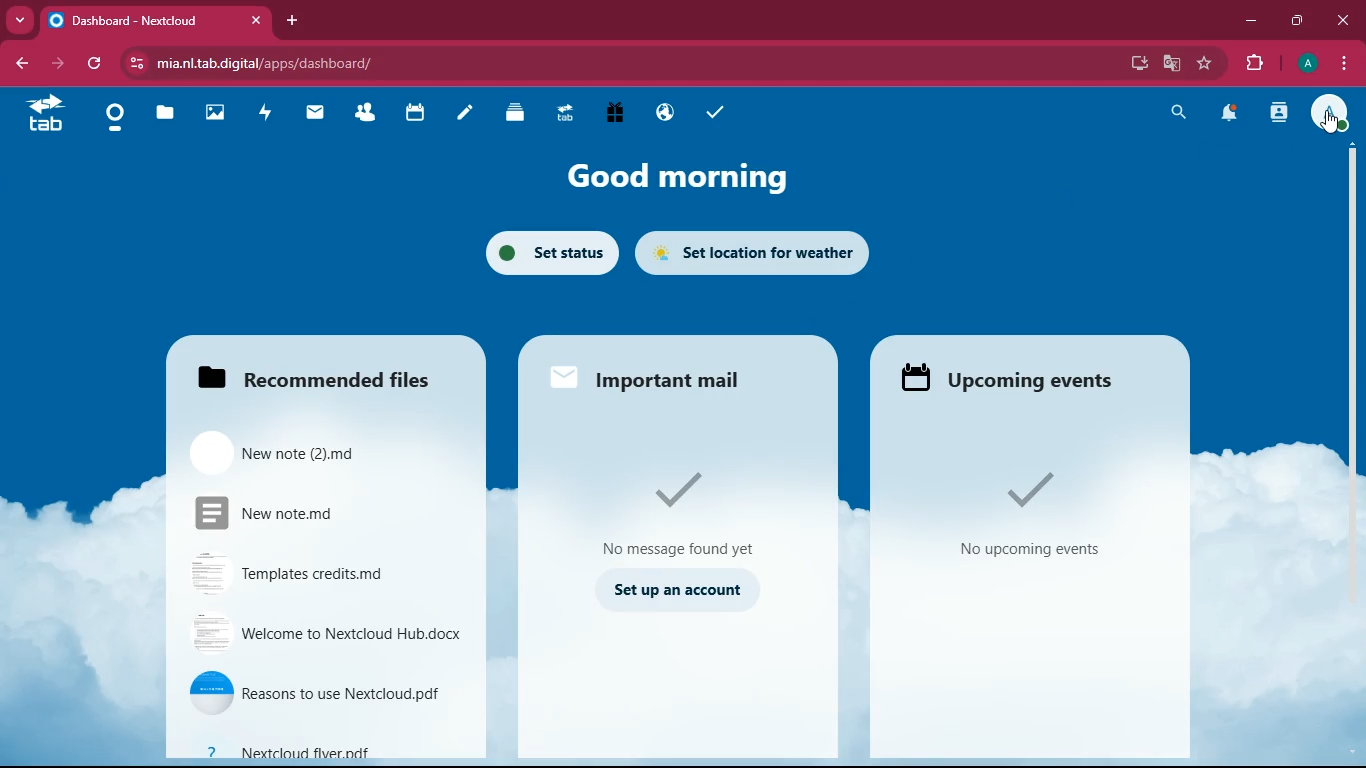  What do you see at coordinates (320, 752) in the screenshot?
I see `file` at bounding box center [320, 752].